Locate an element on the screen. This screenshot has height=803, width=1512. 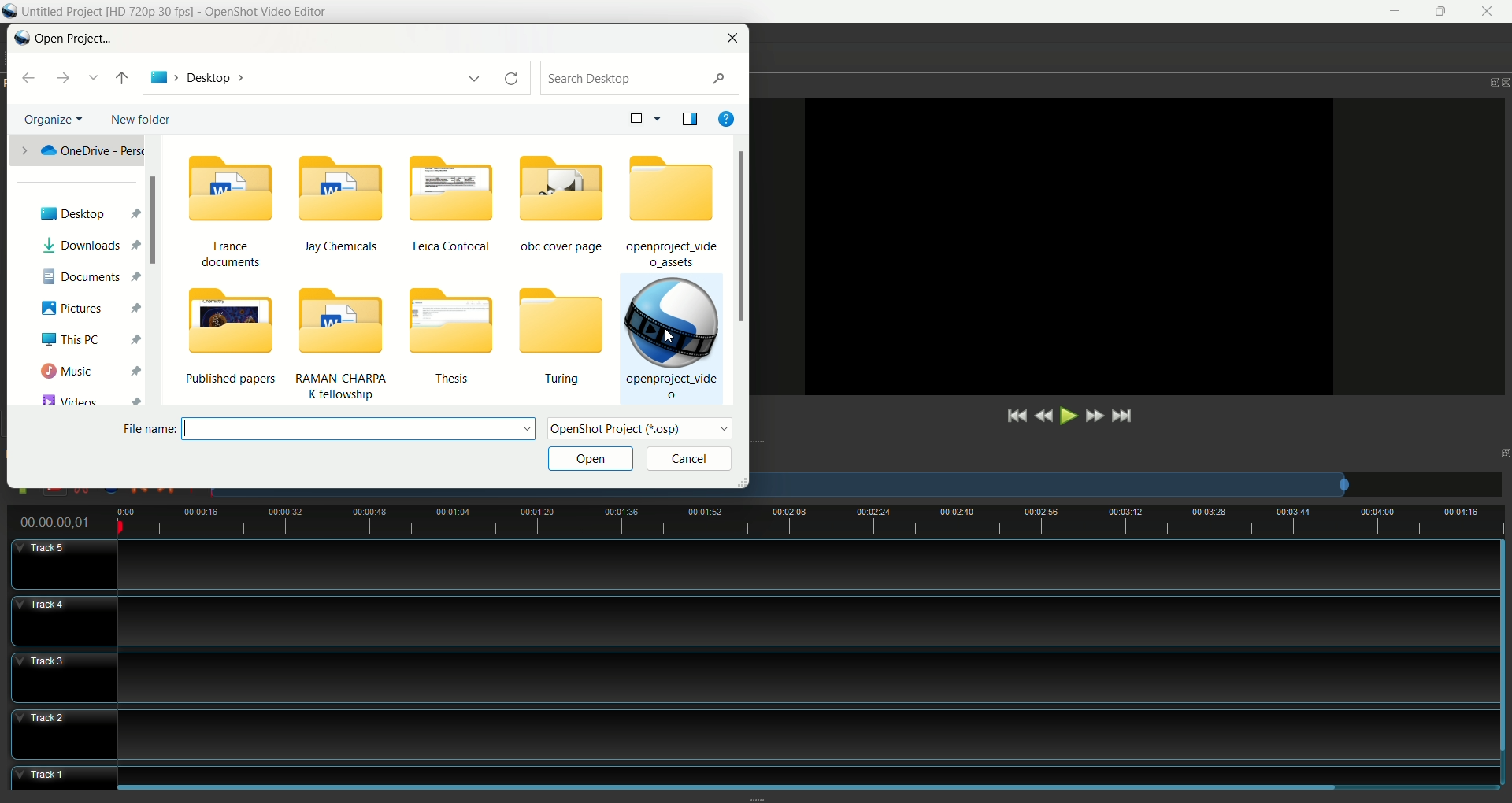
downloads is located at coordinates (91, 244).